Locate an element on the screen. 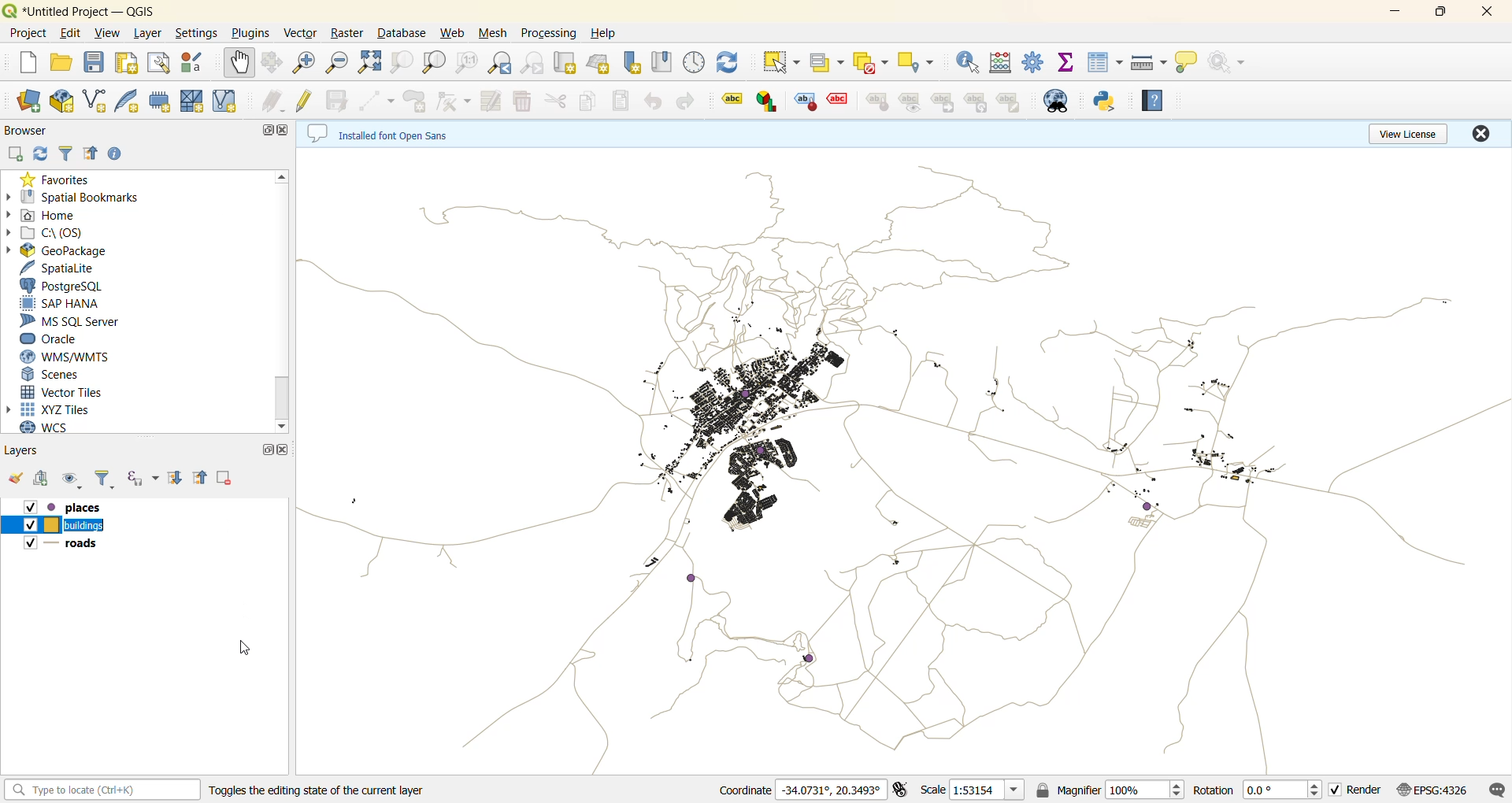  database is located at coordinates (404, 34).